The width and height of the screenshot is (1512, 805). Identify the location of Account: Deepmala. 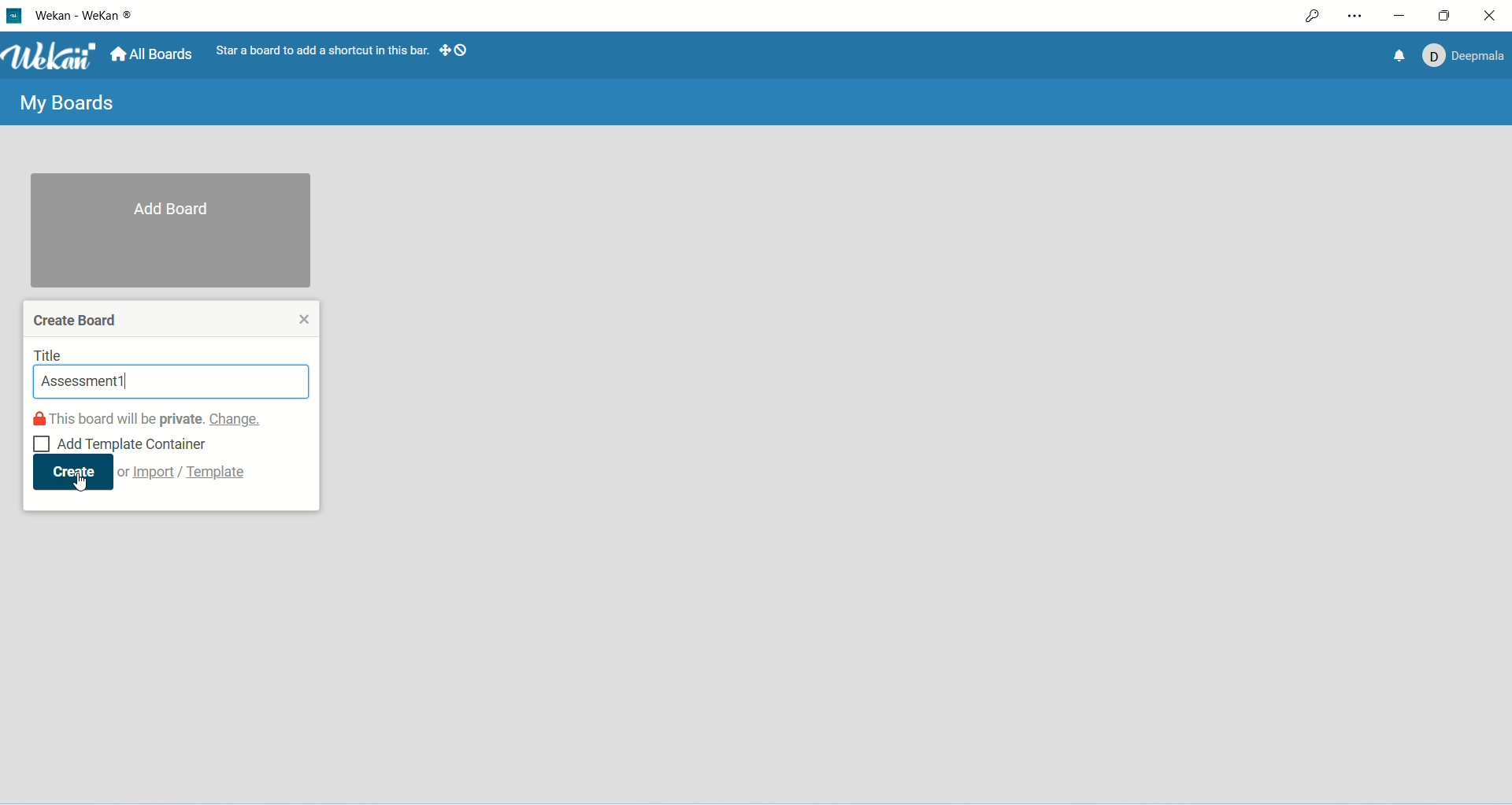
(1460, 57).